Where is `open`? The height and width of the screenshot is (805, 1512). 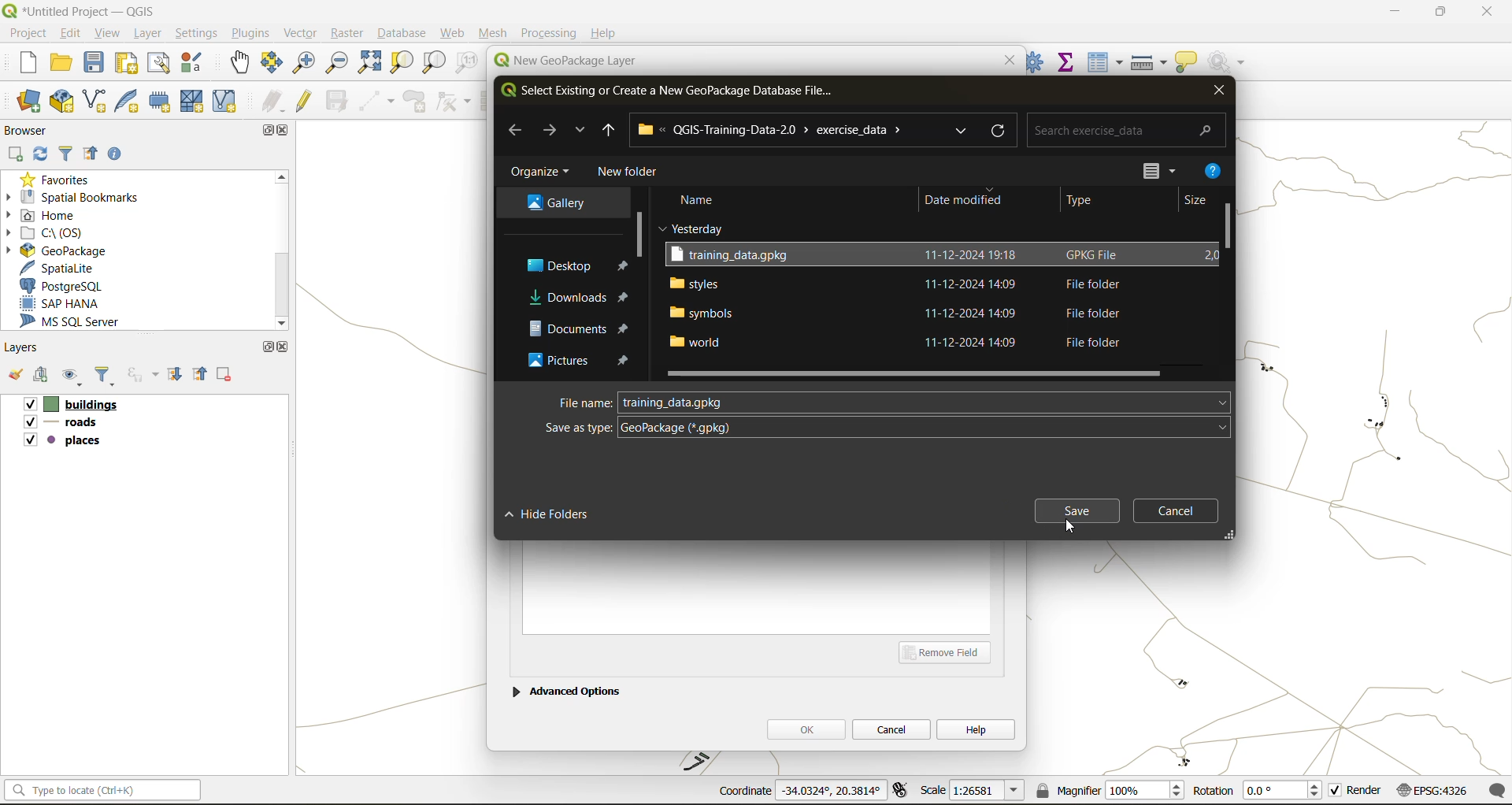
open is located at coordinates (14, 378).